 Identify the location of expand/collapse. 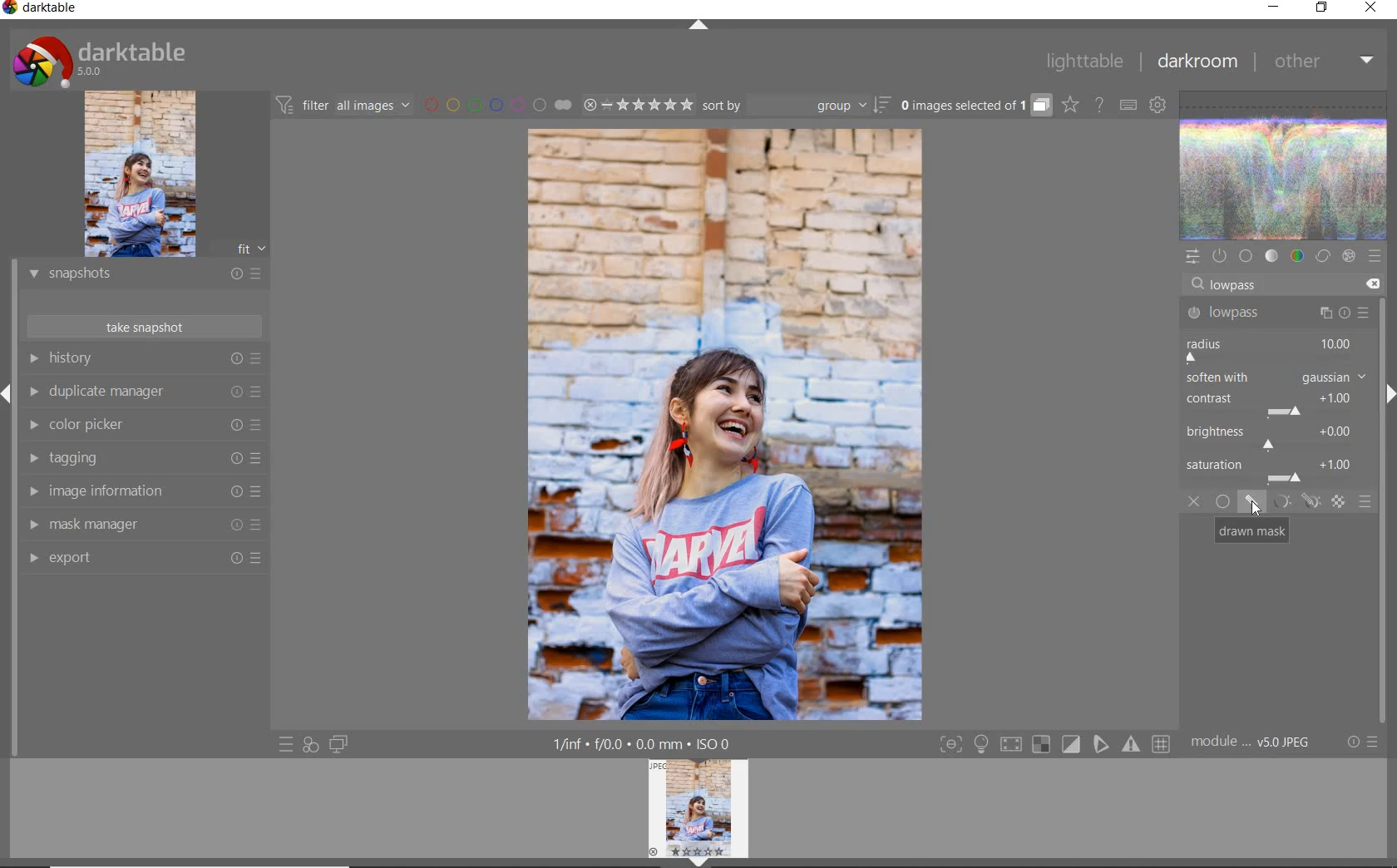
(698, 25).